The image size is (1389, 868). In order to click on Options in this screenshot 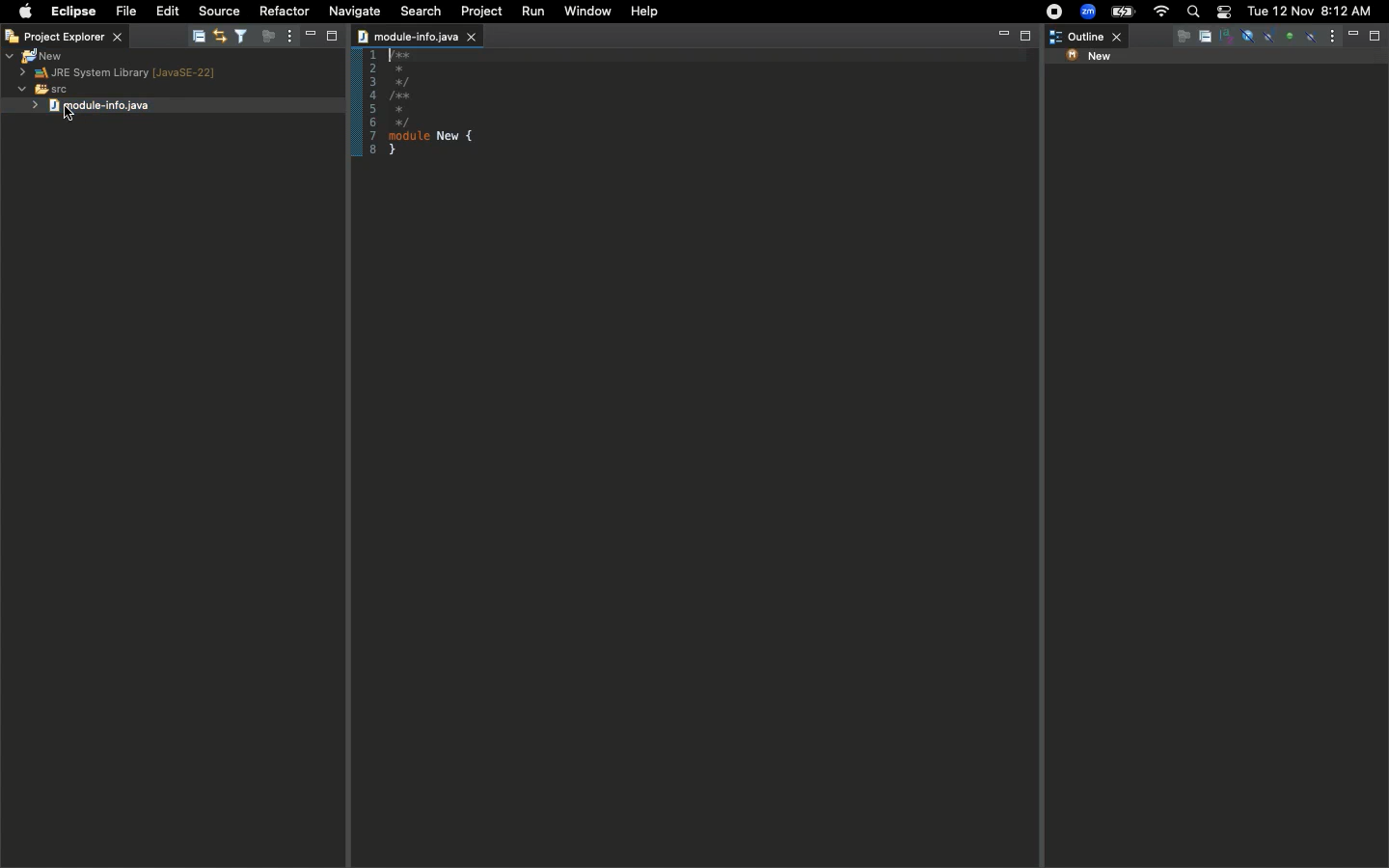, I will do `click(286, 38)`.